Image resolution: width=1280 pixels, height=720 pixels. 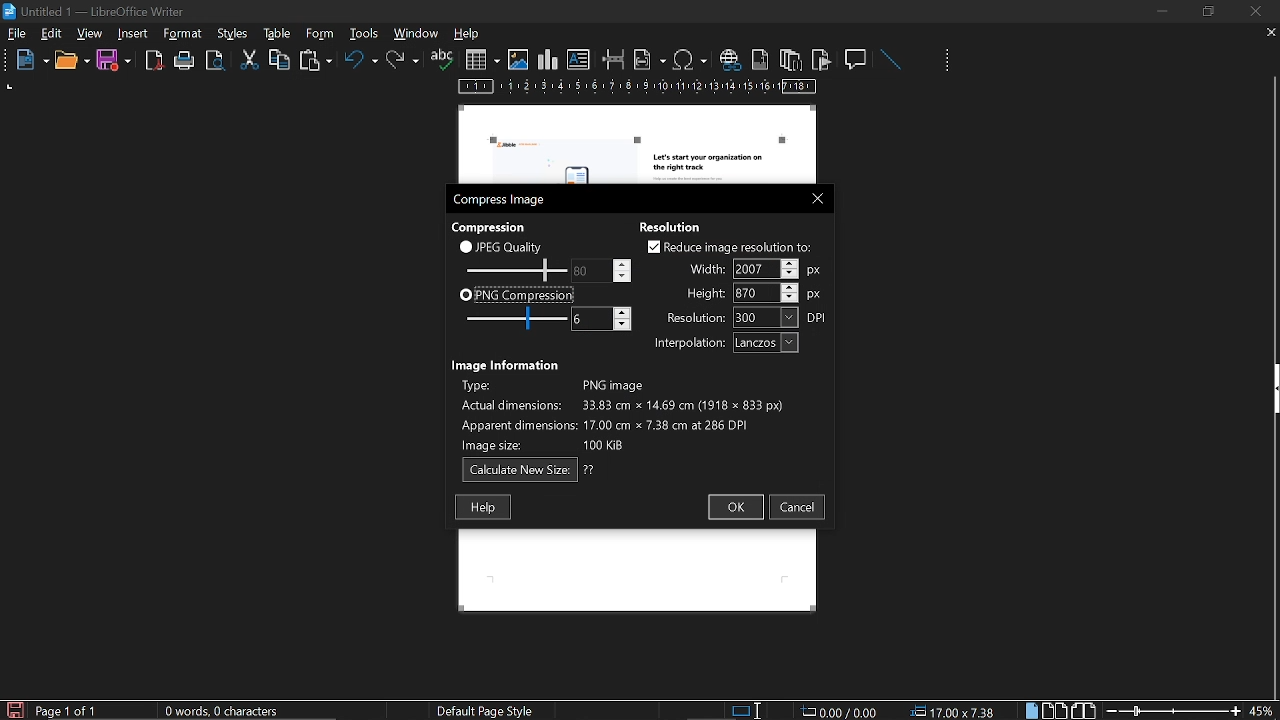 I want to click on toggle print preview, so click(x=218, y=61).